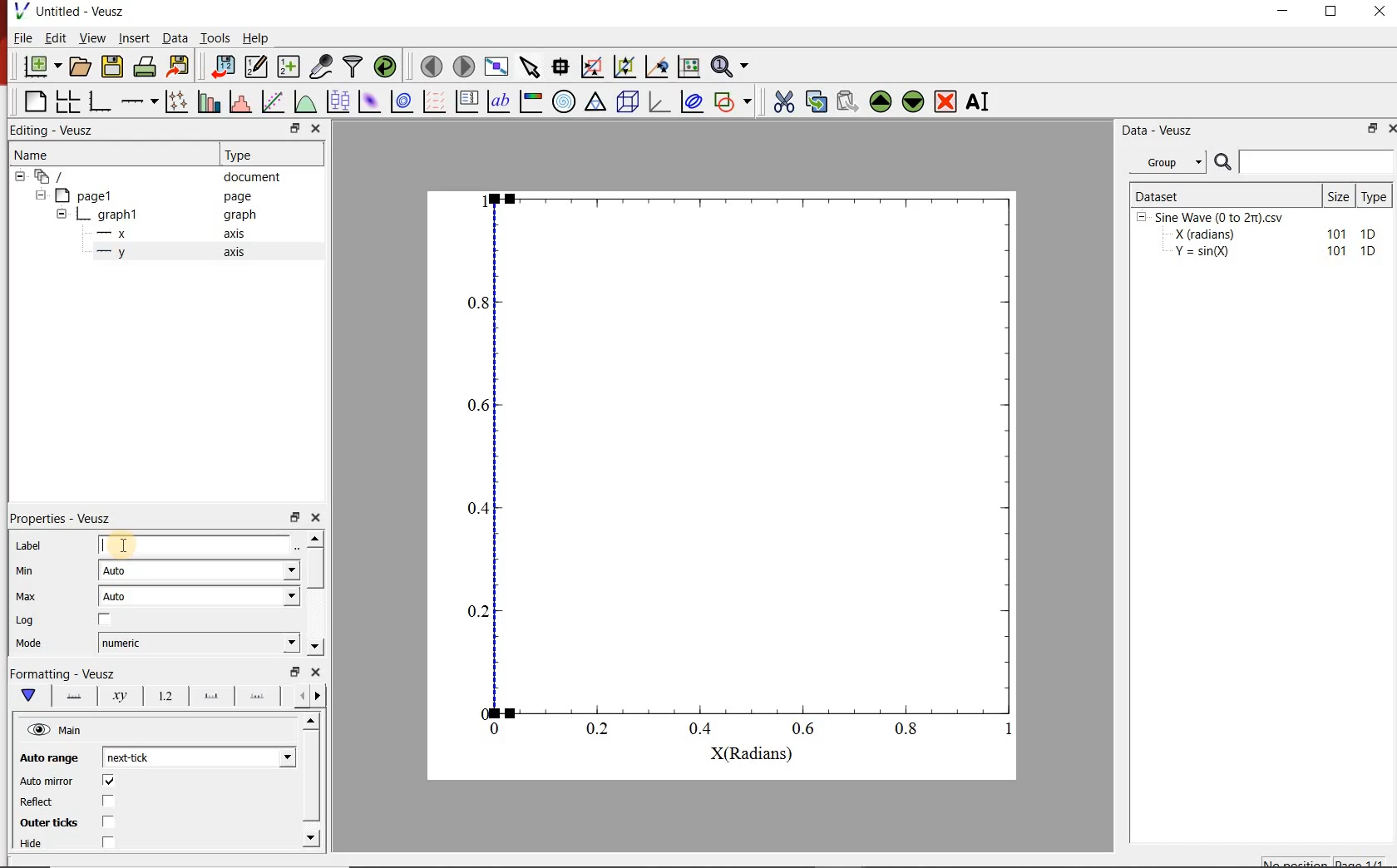 This screenshot has height=868, width=1397. I want to click on Close, so click(1389, 131).